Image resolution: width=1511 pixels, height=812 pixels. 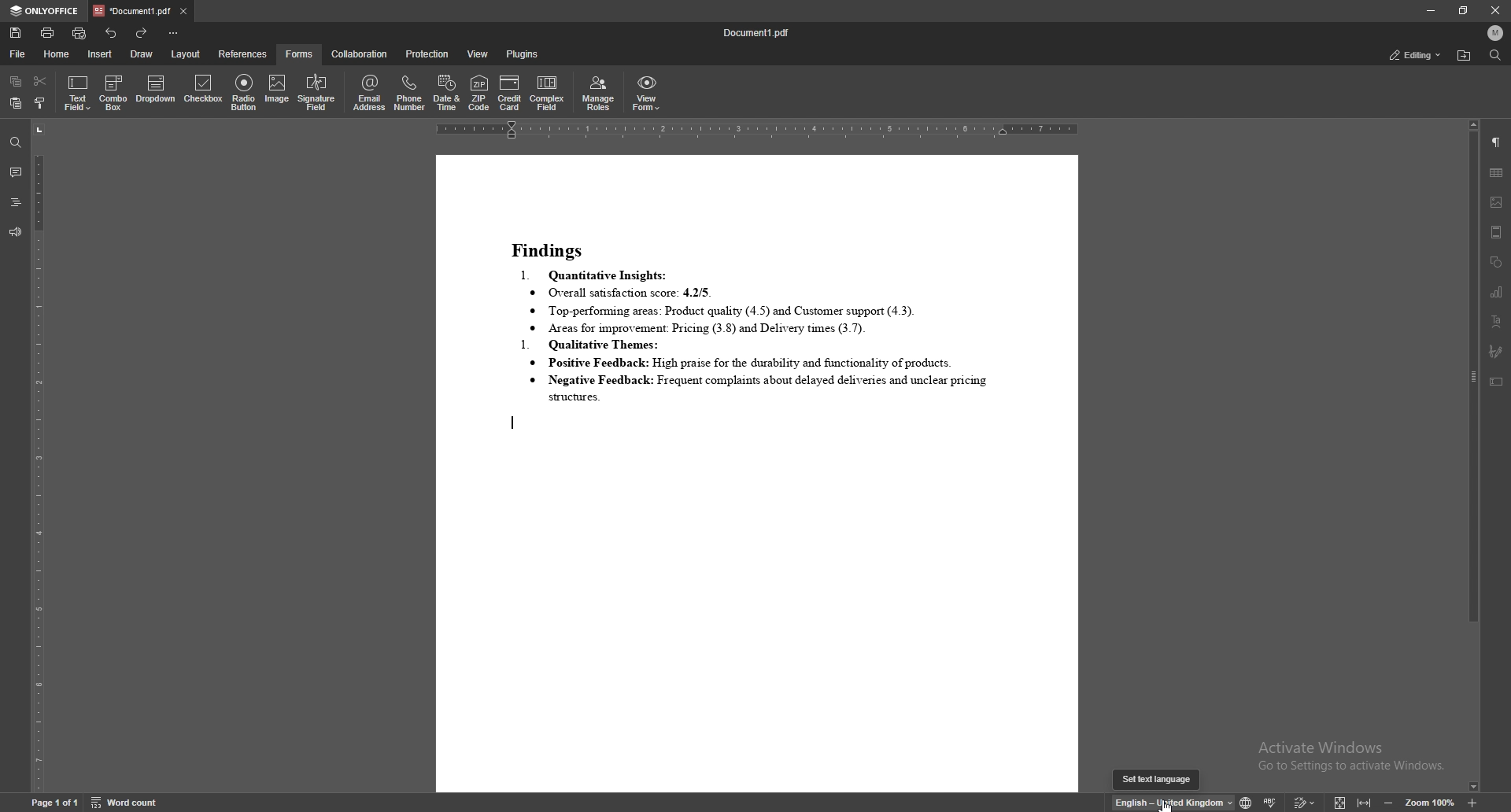 I want to click on status, so click(x=1416, y=54).